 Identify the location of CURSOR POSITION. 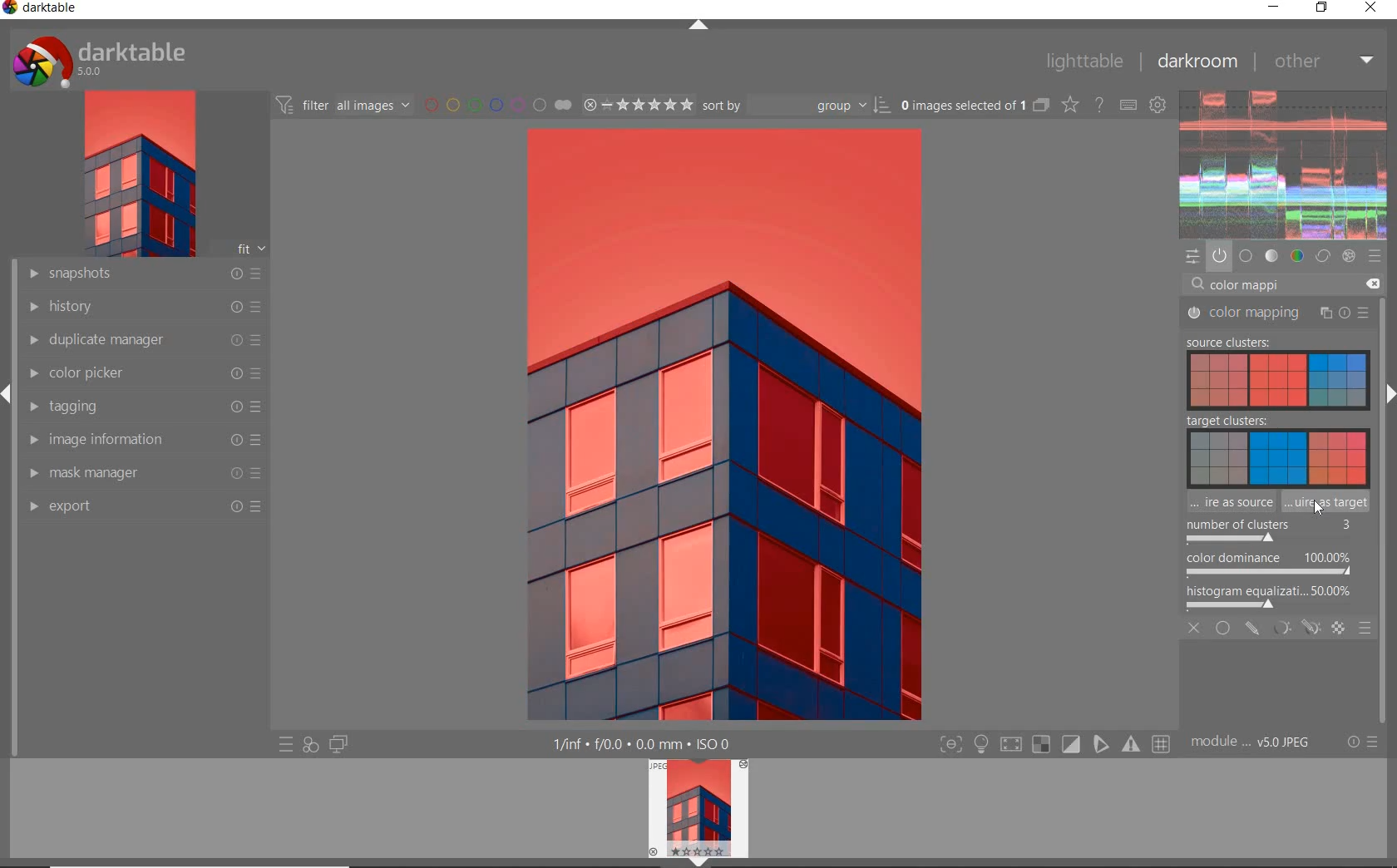
(1319, 510).